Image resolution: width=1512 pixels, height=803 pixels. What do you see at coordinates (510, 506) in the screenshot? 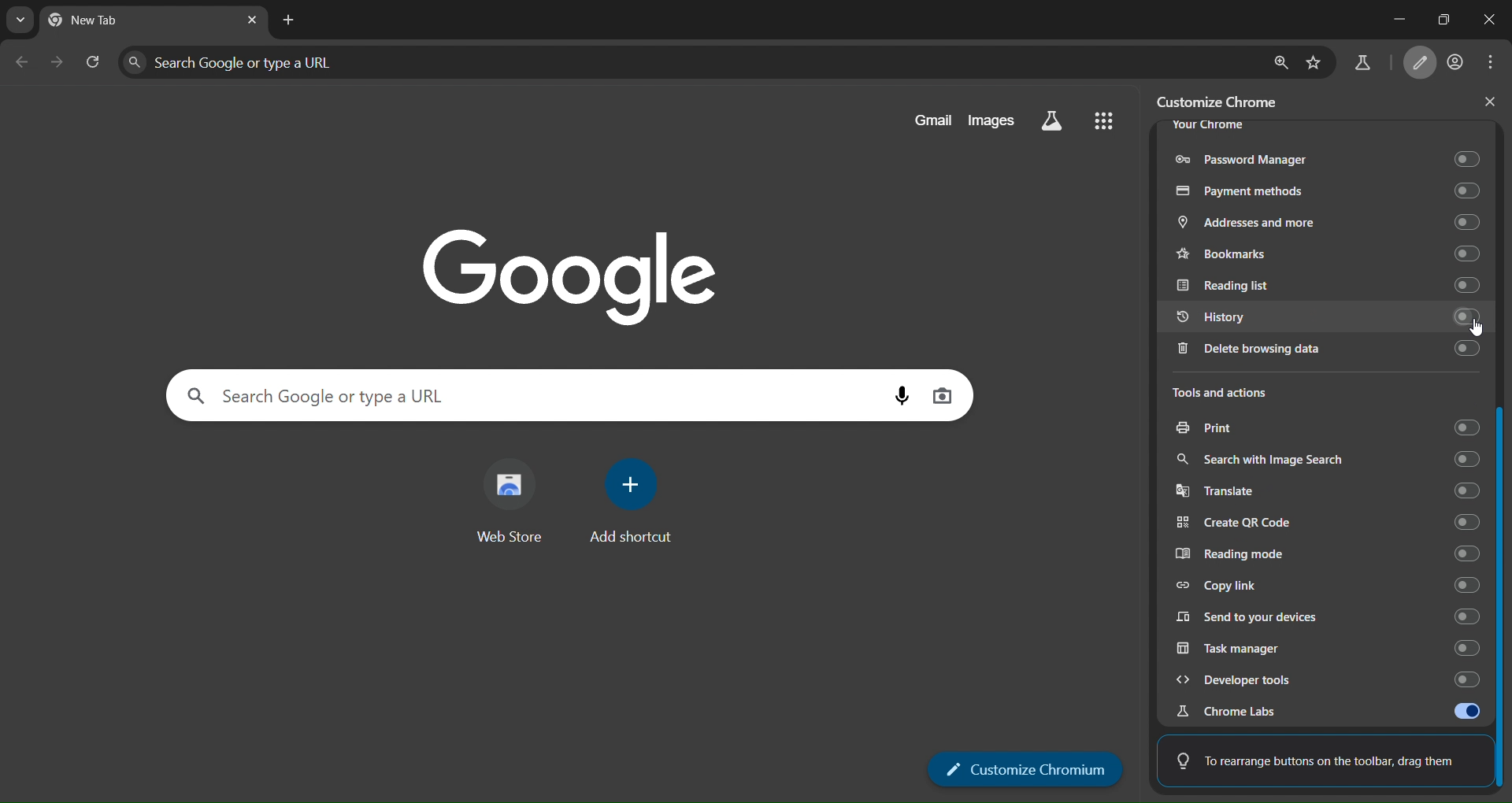
I see `web store` at bounding box center [510, 506].